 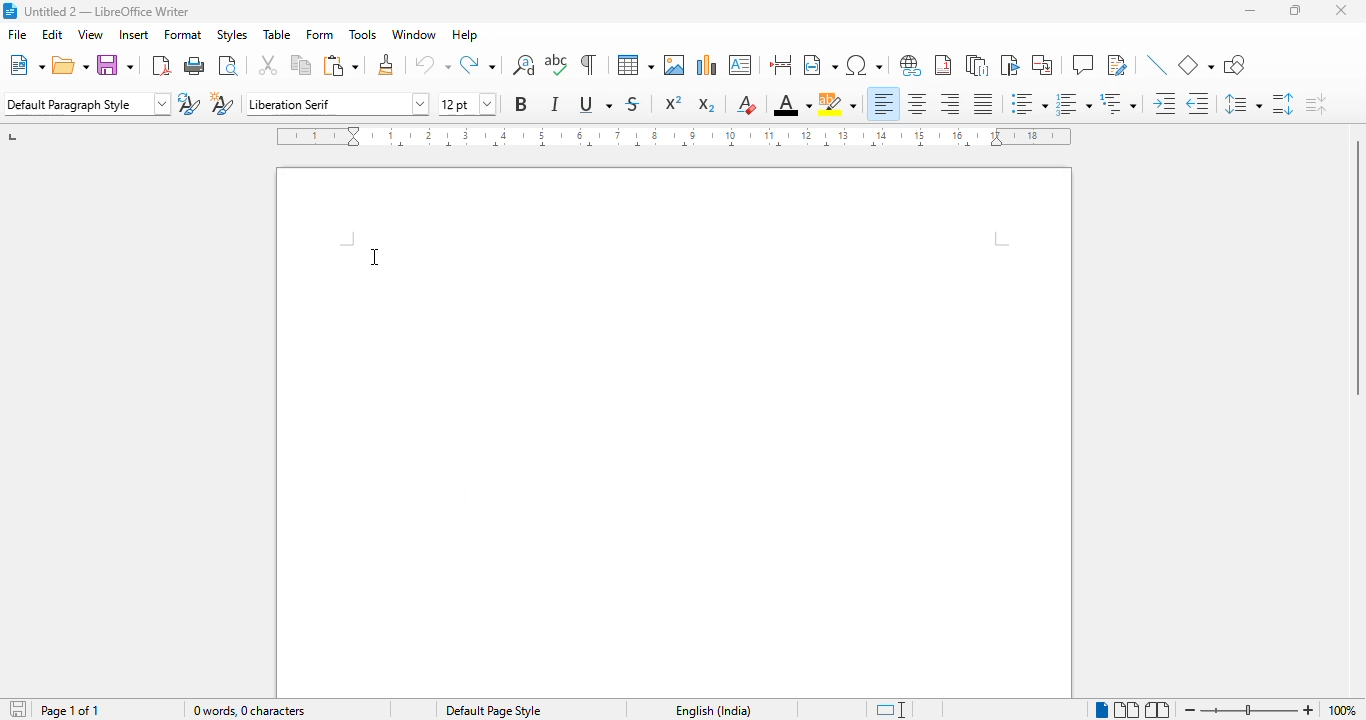 I want to click on undo, so click(x=433, y=65).